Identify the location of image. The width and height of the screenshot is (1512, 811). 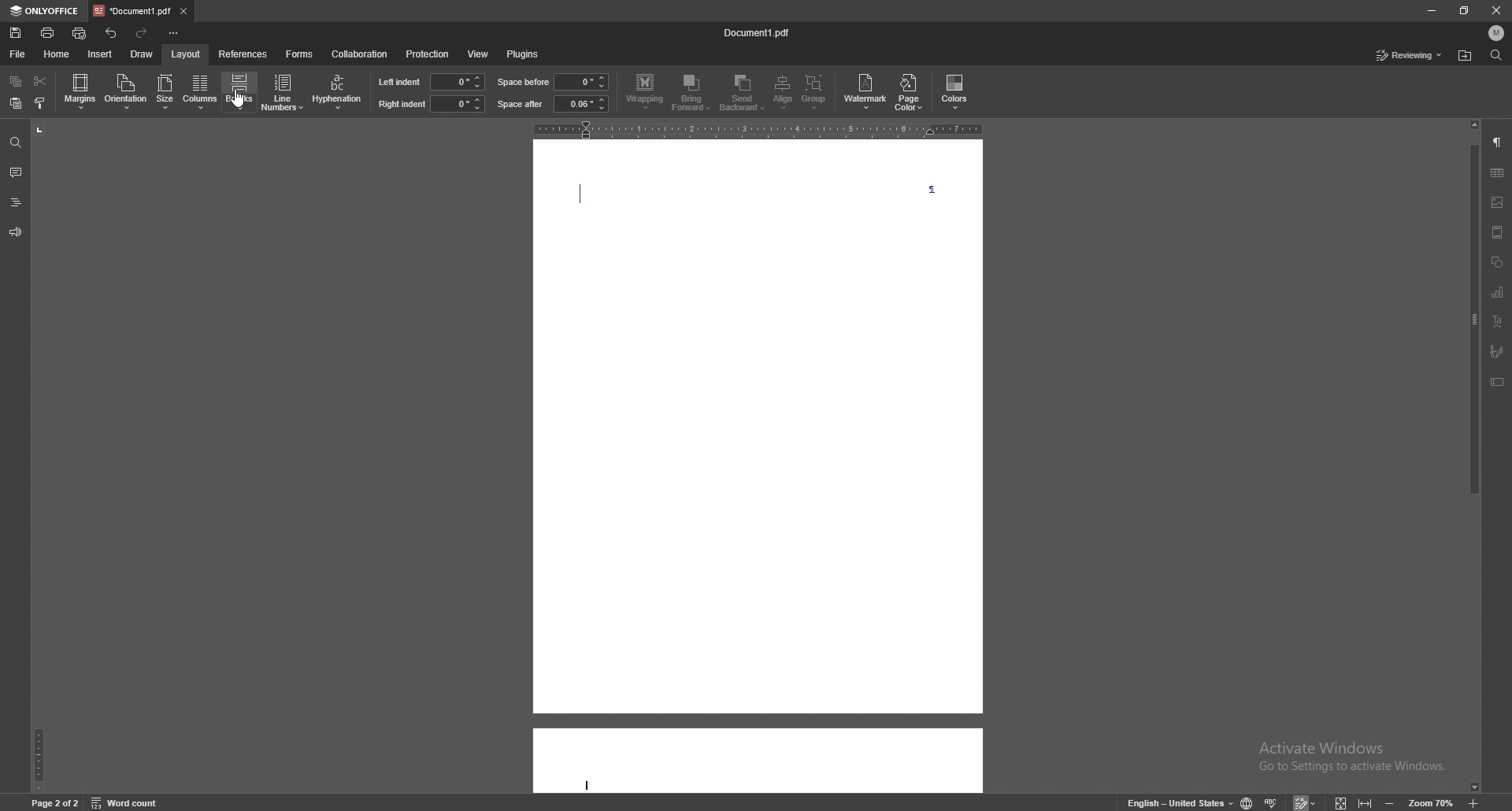
(1497, 203).